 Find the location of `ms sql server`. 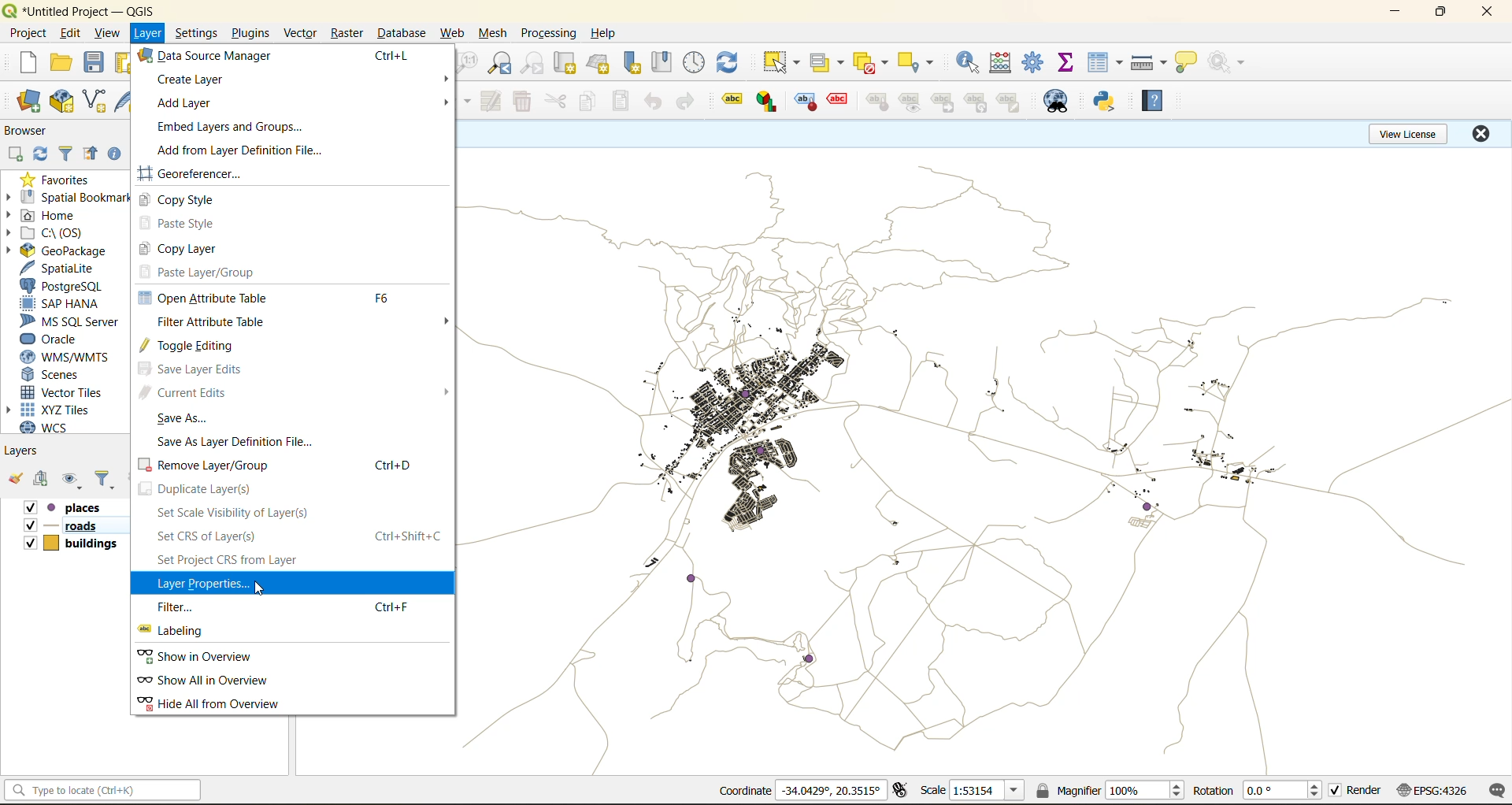

ms sql server is located at coordinates (69, 320).